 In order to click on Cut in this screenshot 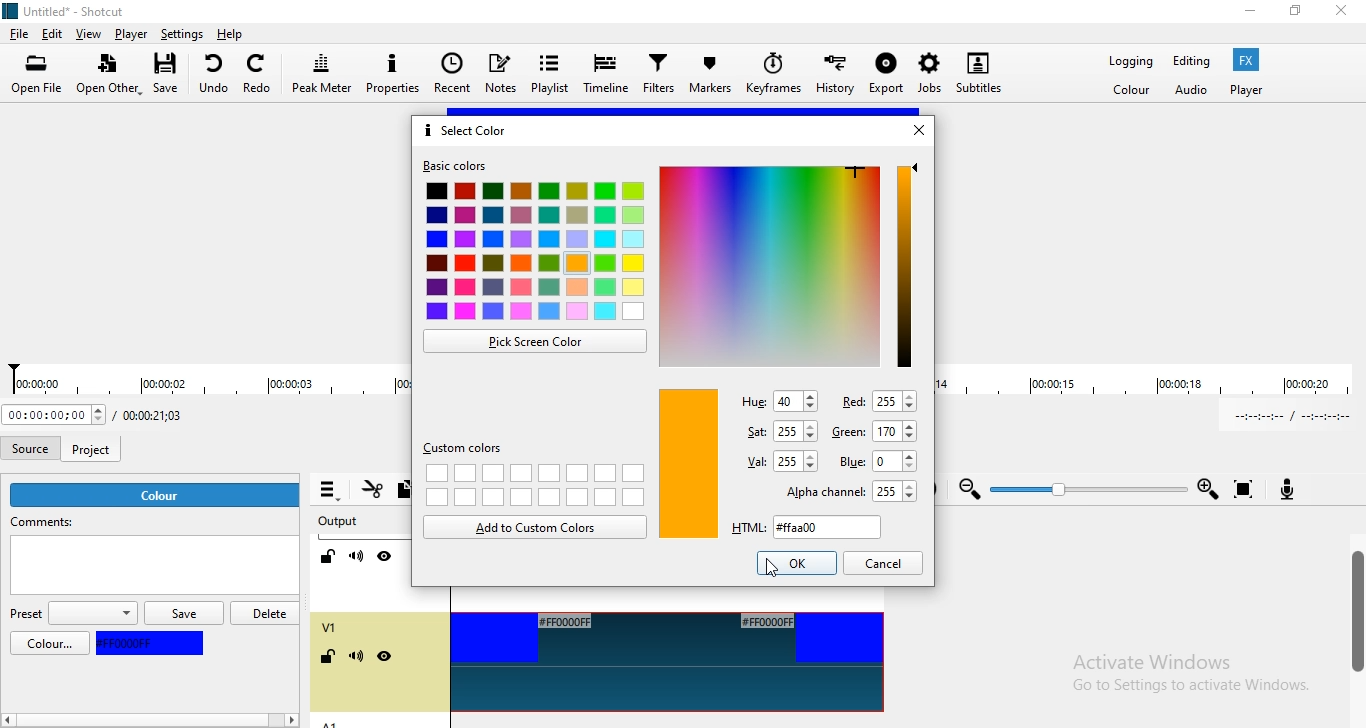, I will do `click(371, 492)`.